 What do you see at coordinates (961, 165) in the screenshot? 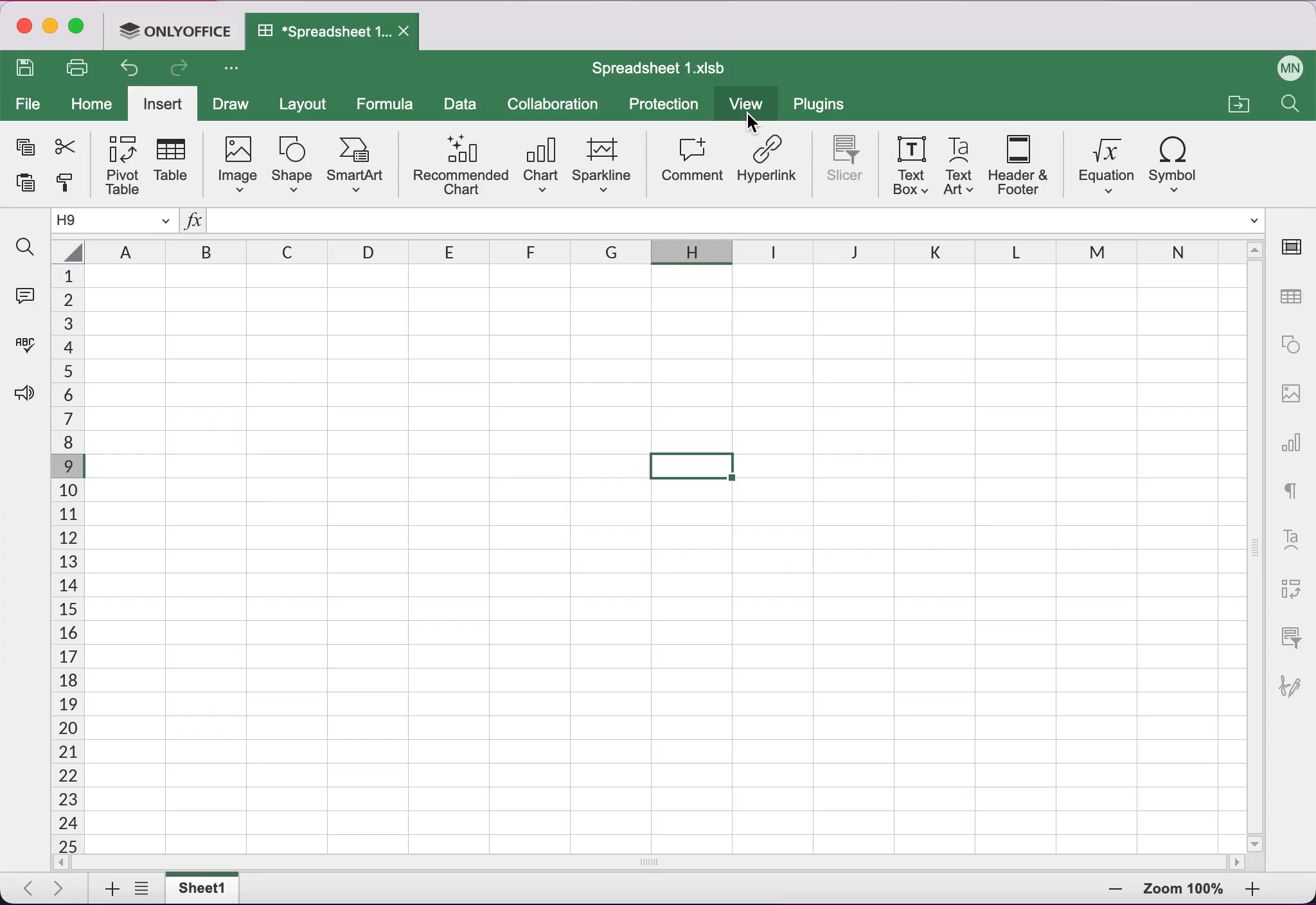
I see `text art` at bounding box center [961, 165].